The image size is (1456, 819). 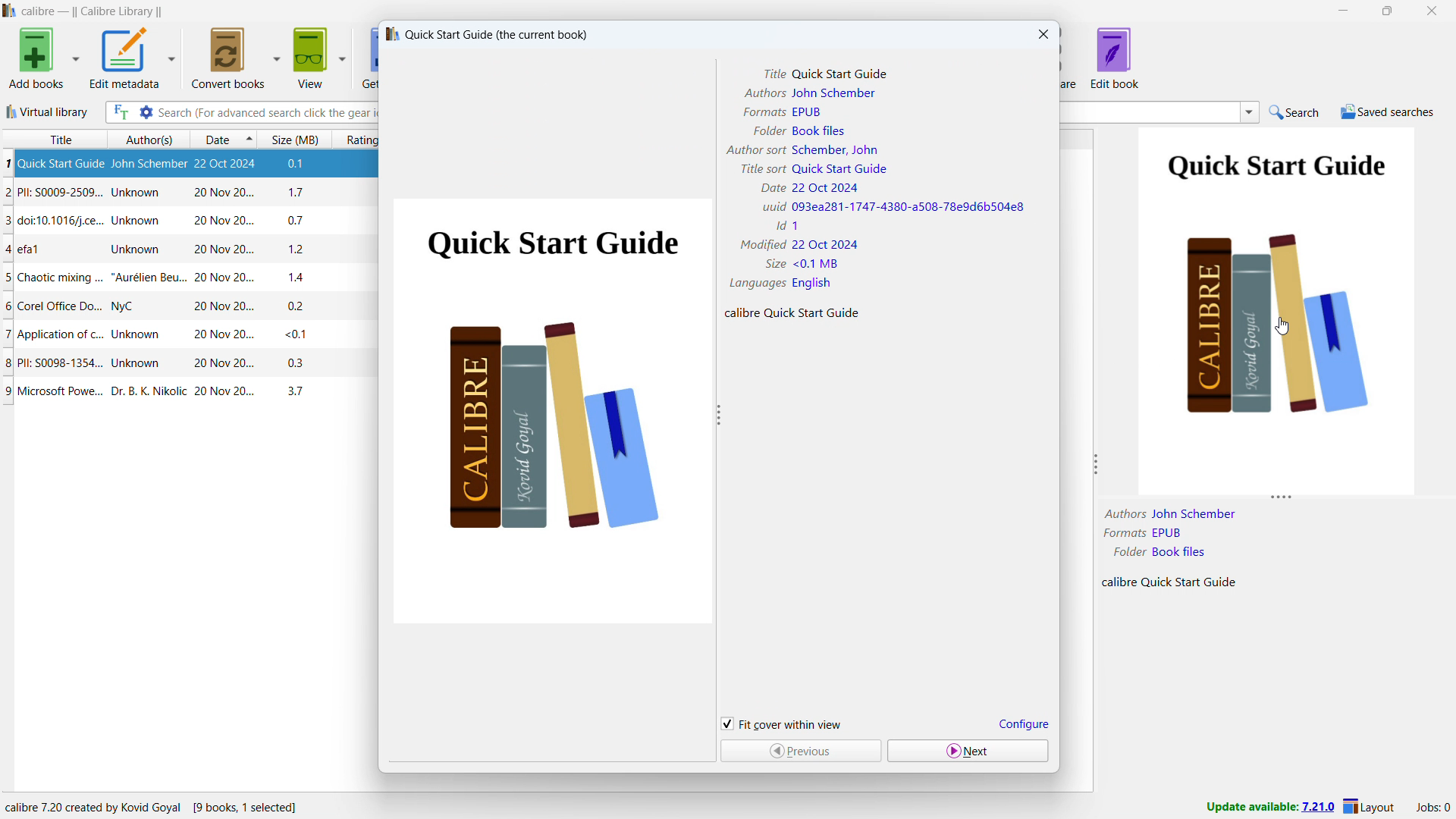 What do you see at coordinates (145, 111) in the screenshot?
I see `advanced search` at bounding box center [145, 111].